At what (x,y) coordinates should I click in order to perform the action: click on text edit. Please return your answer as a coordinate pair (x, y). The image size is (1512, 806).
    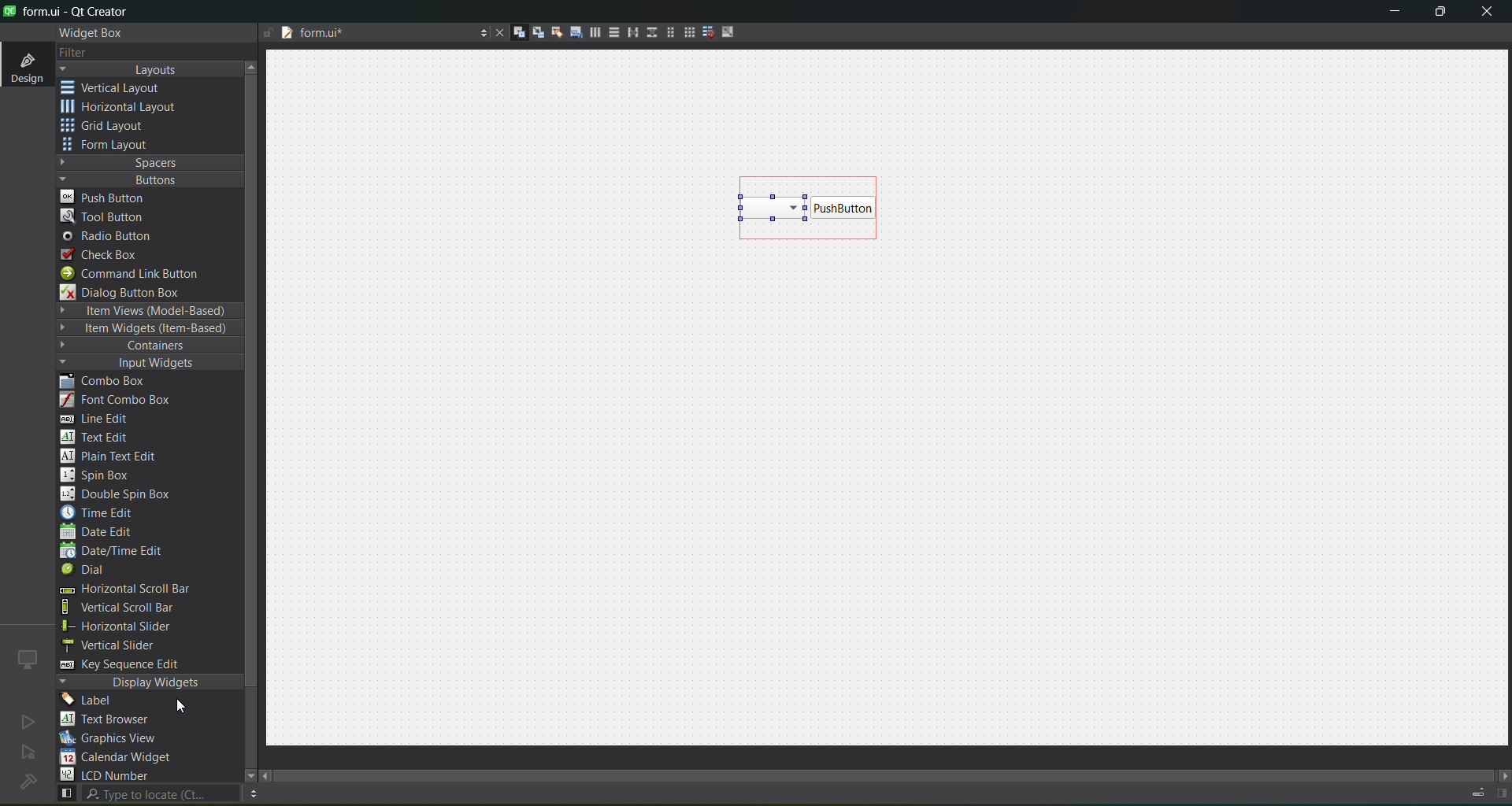
    Looking at the image, I should click on (99, 436).